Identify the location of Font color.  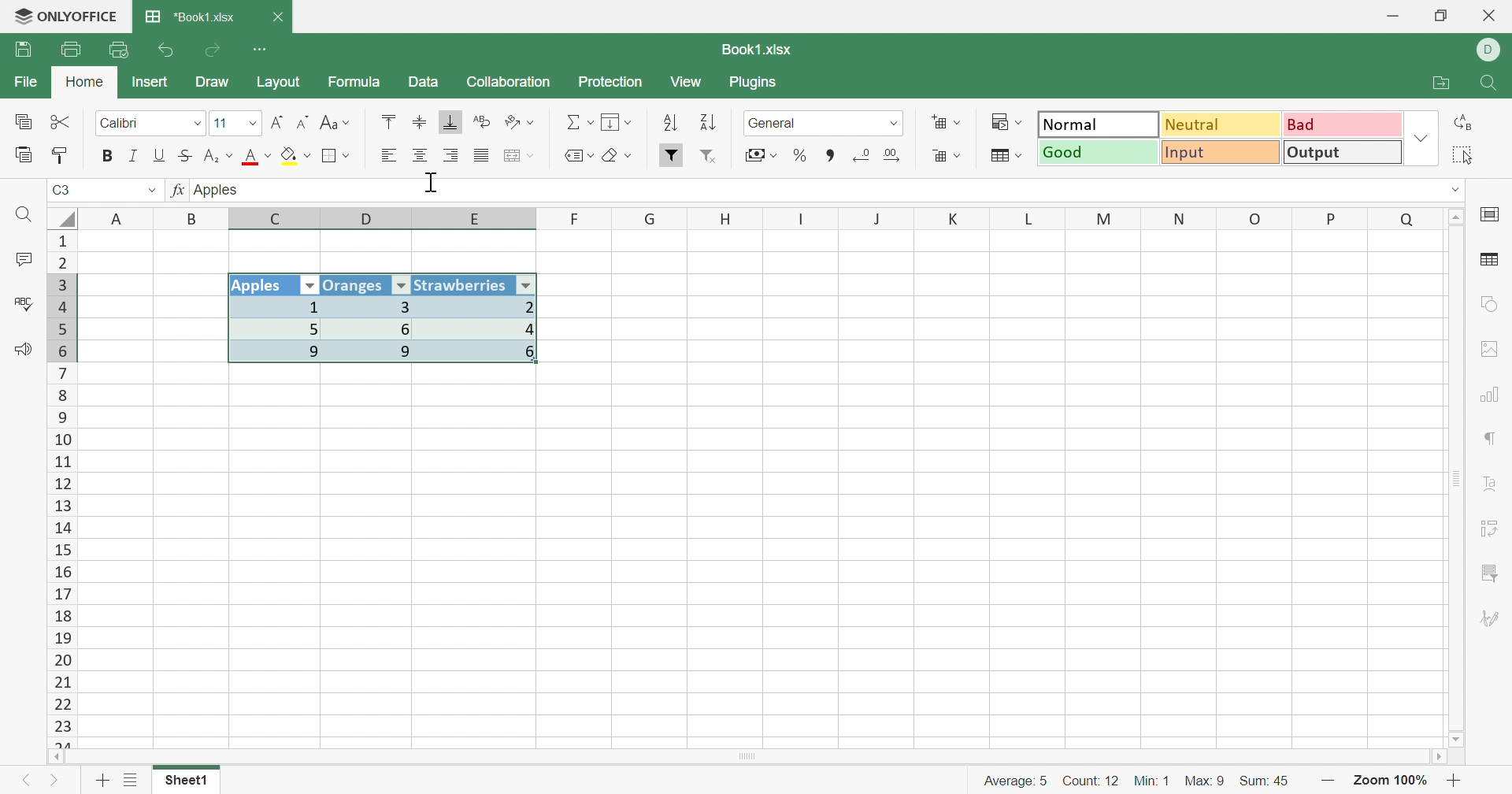
(259, 158).